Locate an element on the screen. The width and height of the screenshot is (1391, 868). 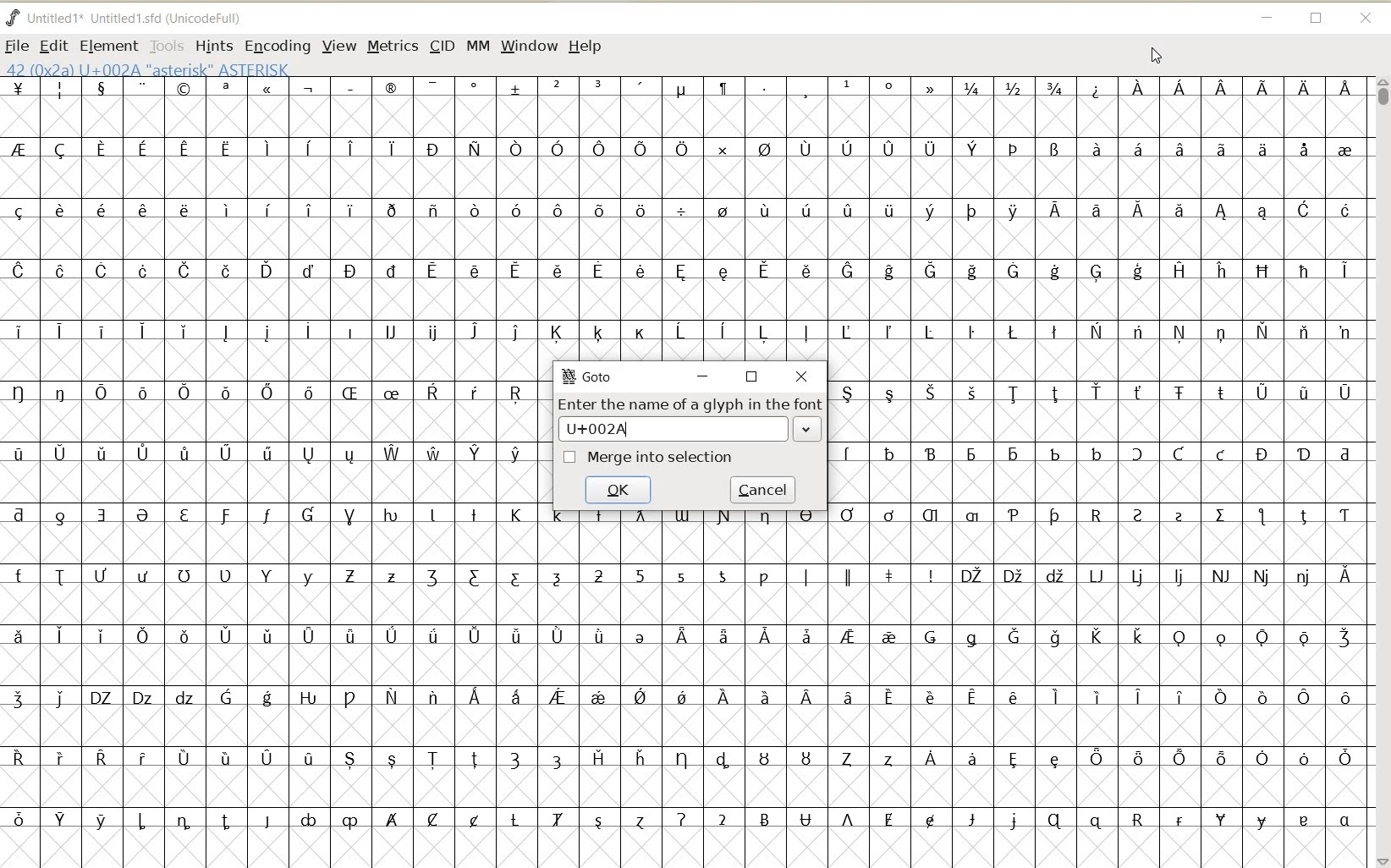
GLYPHY CHARACTERS & NUMBERS is located at coordinates (1096, 615).